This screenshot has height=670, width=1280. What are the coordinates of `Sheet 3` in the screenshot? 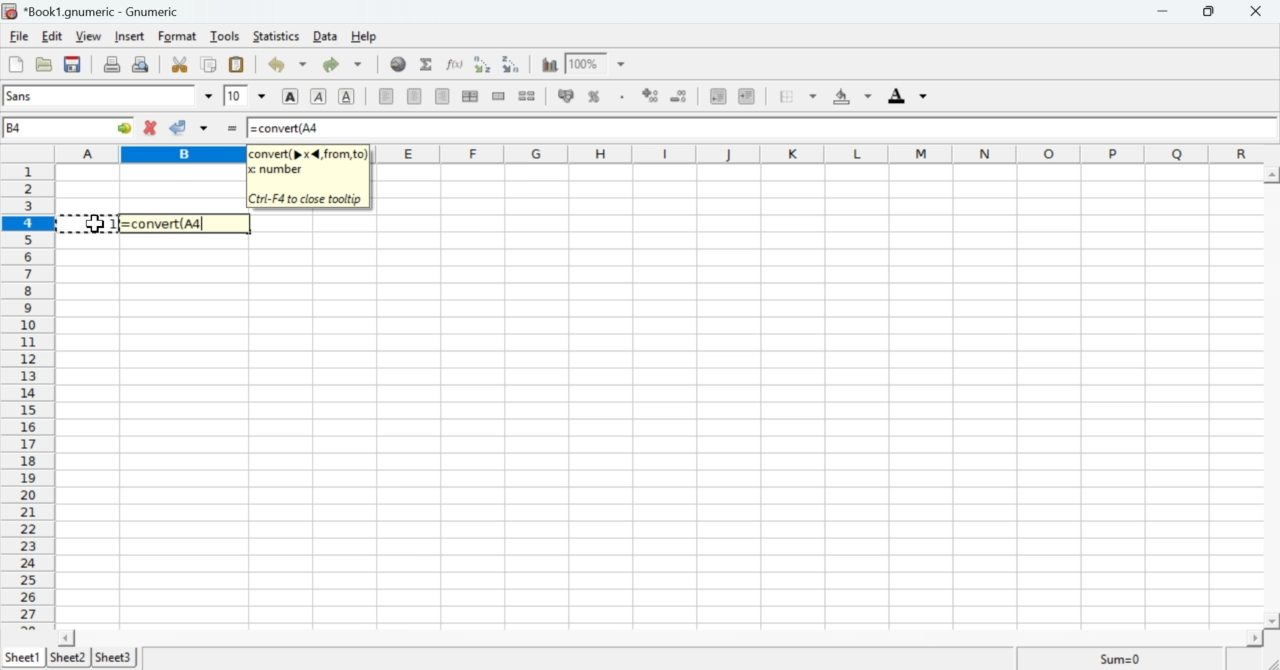 It's located at (115, 658).